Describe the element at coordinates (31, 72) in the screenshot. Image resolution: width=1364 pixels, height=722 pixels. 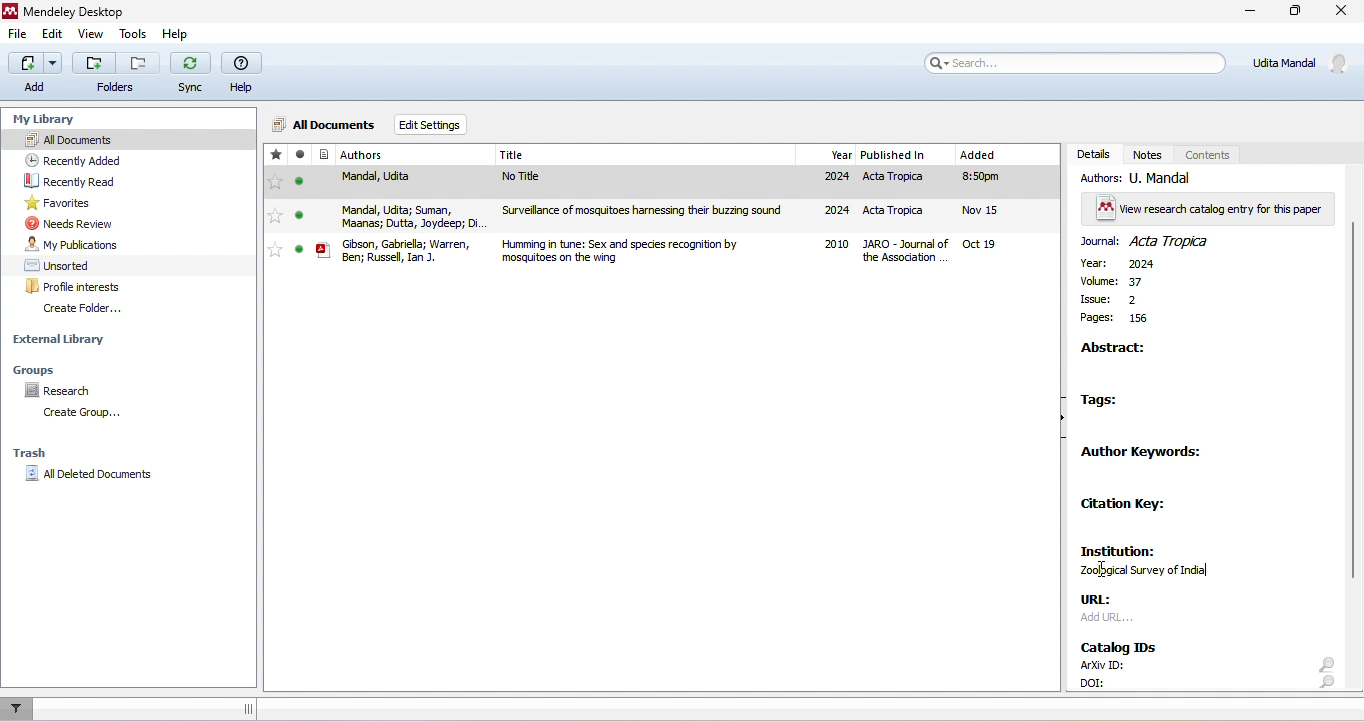
I see `add` at that location.